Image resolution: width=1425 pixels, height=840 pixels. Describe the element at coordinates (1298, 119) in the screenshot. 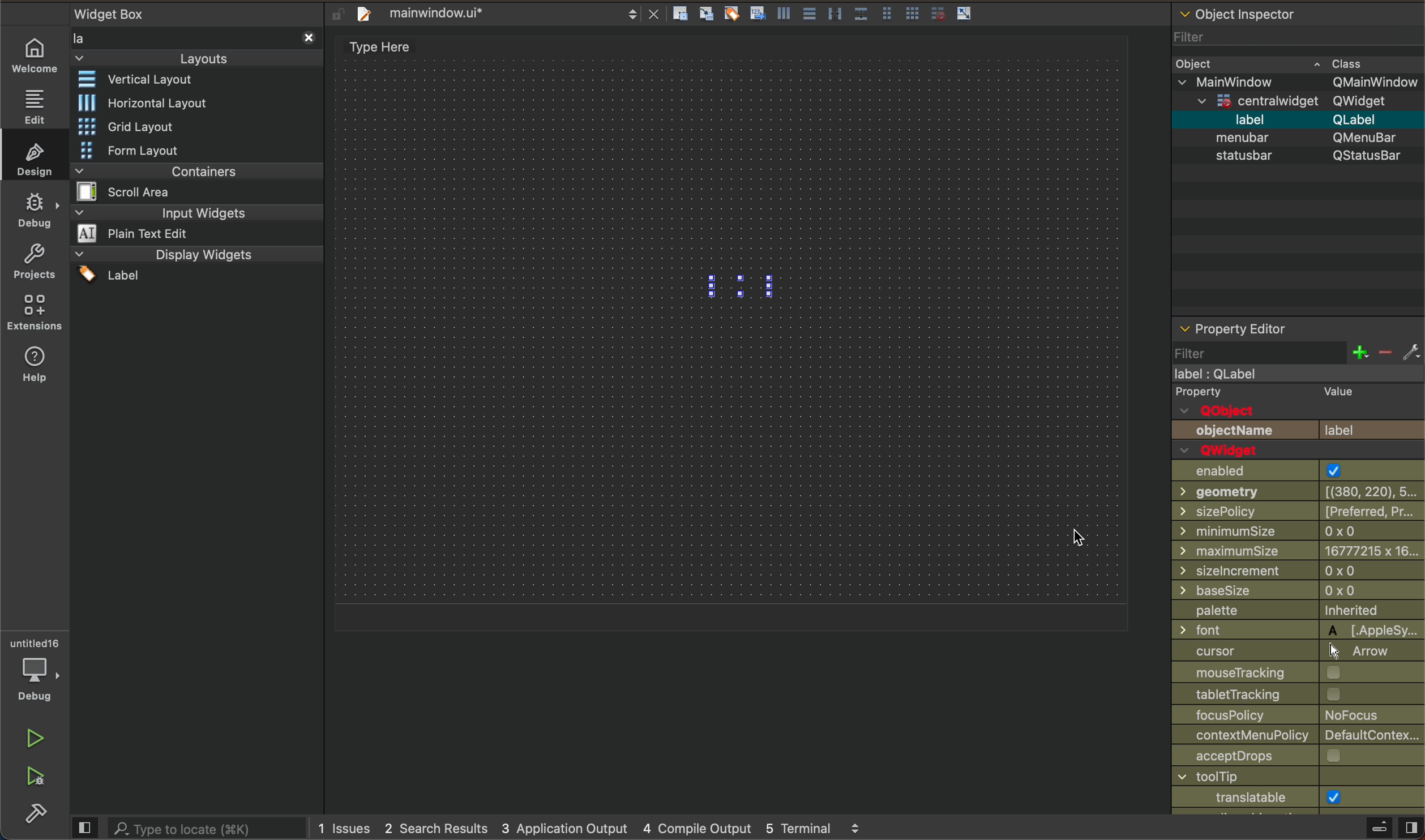

I see `label` at that location.